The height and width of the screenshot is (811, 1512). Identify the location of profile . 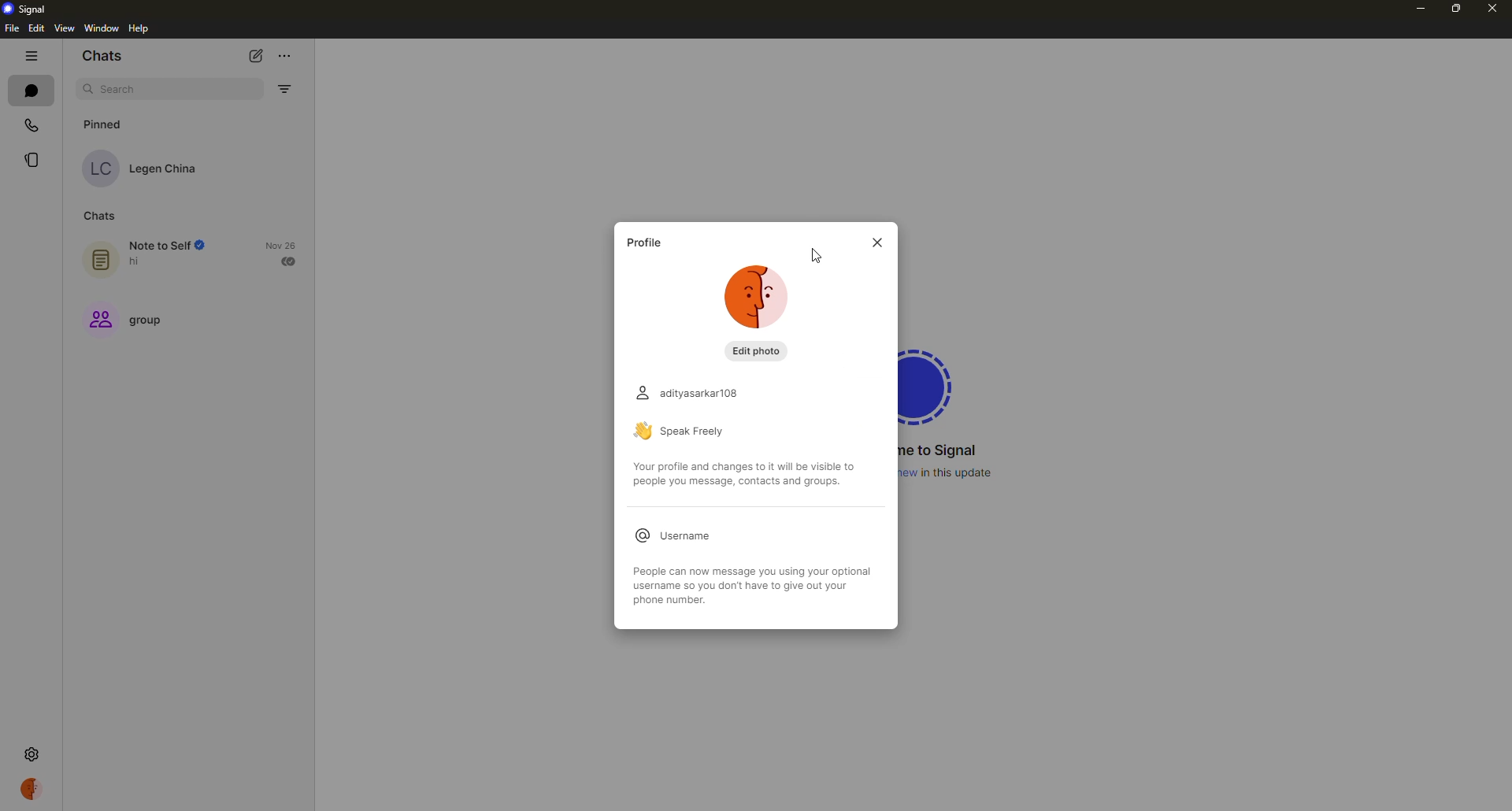
(643, 243).